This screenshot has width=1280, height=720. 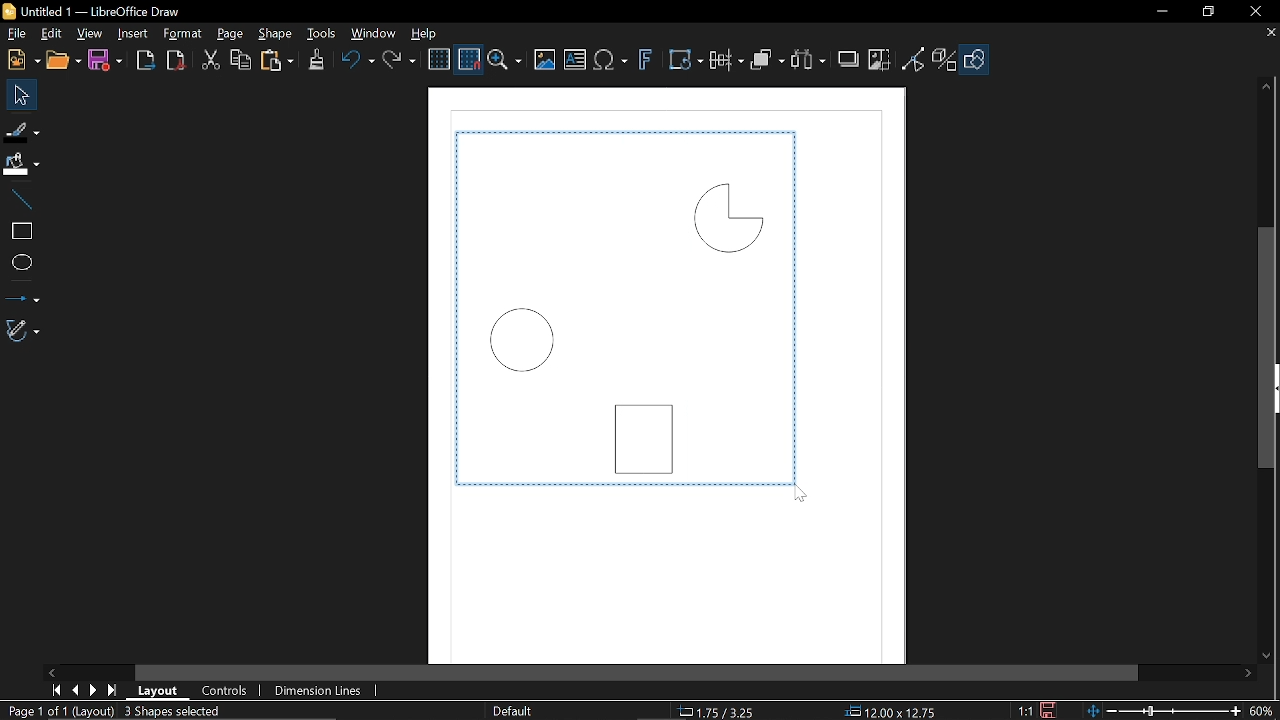 What do you see at coordinates (1266, 346) in the screenshot?
I see `Vertical scrollbar` at bounding box center [1266, 346].